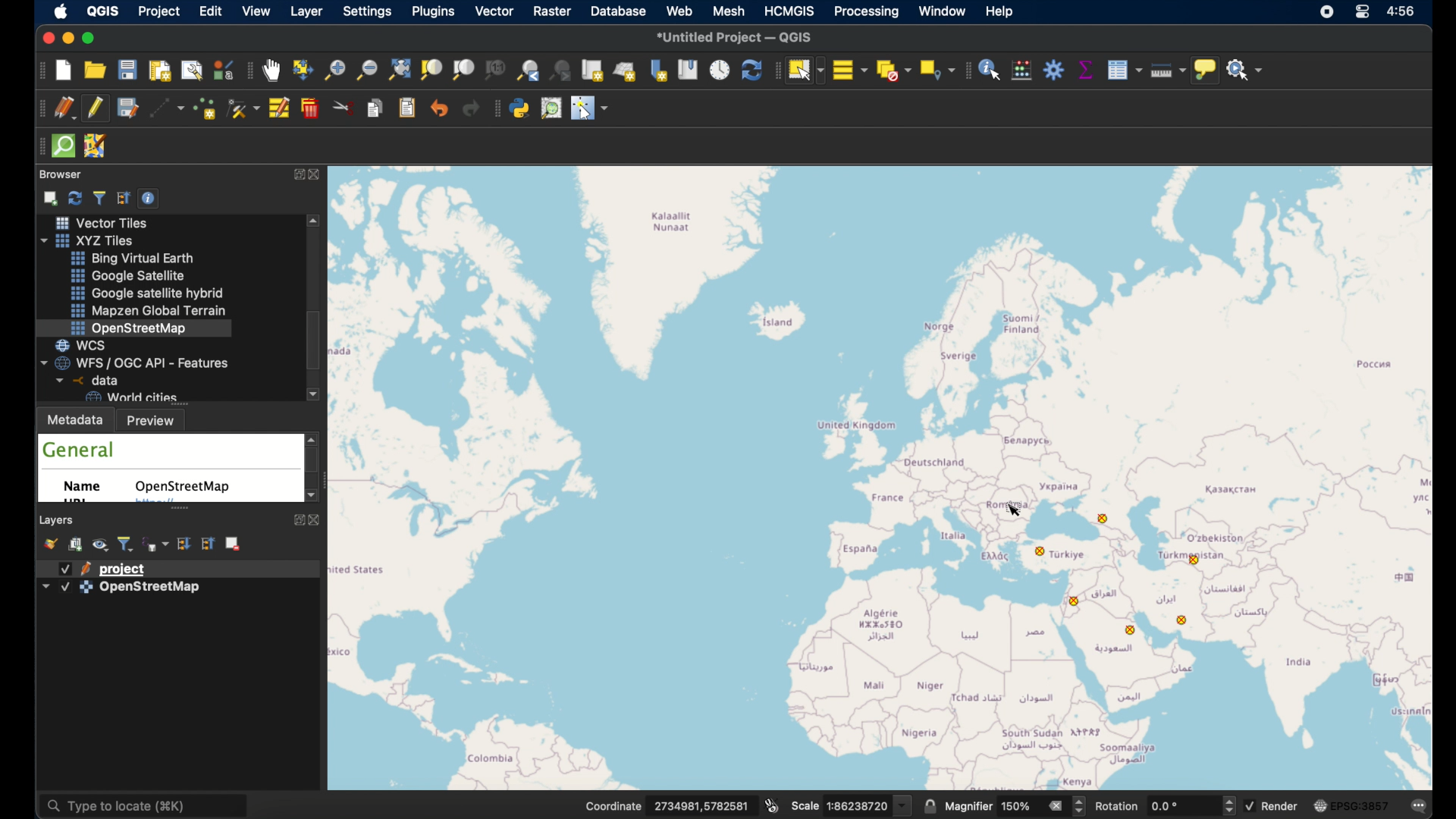 This screenshot has width=1456, height=819. What do you see at coordinates (553, 108) in the screenshot?
I see `osm place search` at bounding box center [553, 108].